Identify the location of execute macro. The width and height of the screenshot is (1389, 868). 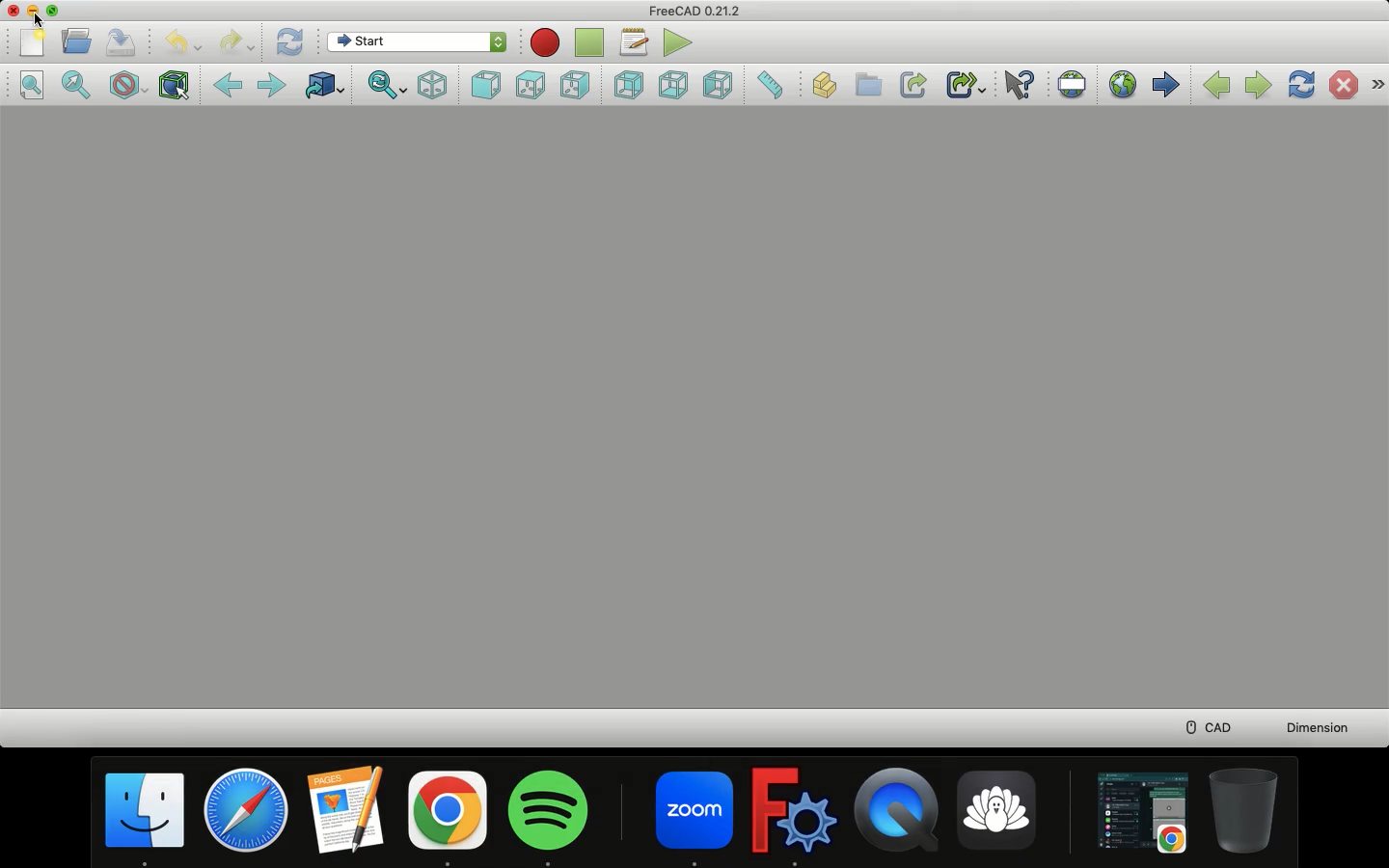
(681, 41).